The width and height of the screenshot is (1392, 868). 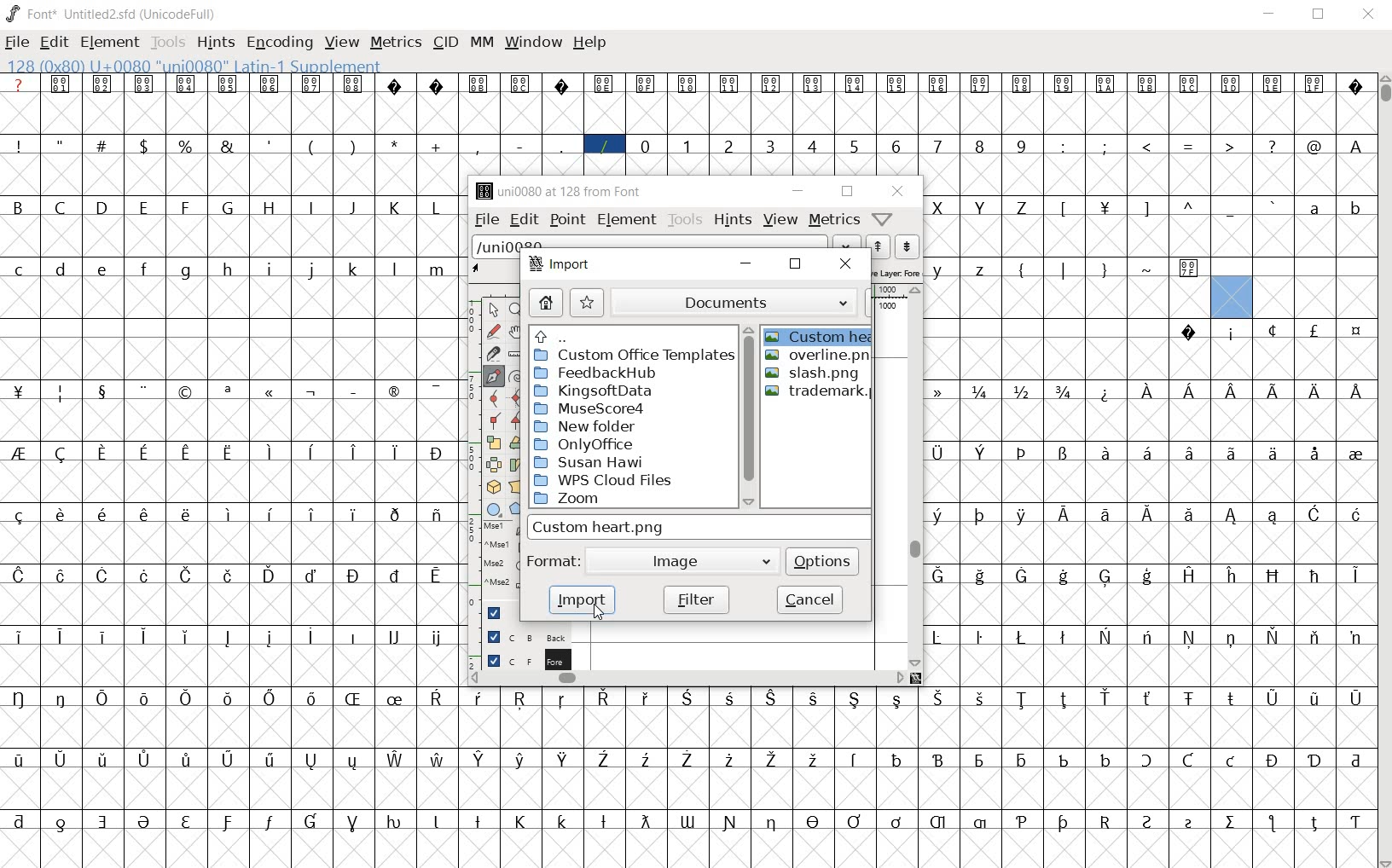 I want to click on glyph, so click(x=937, y=822).